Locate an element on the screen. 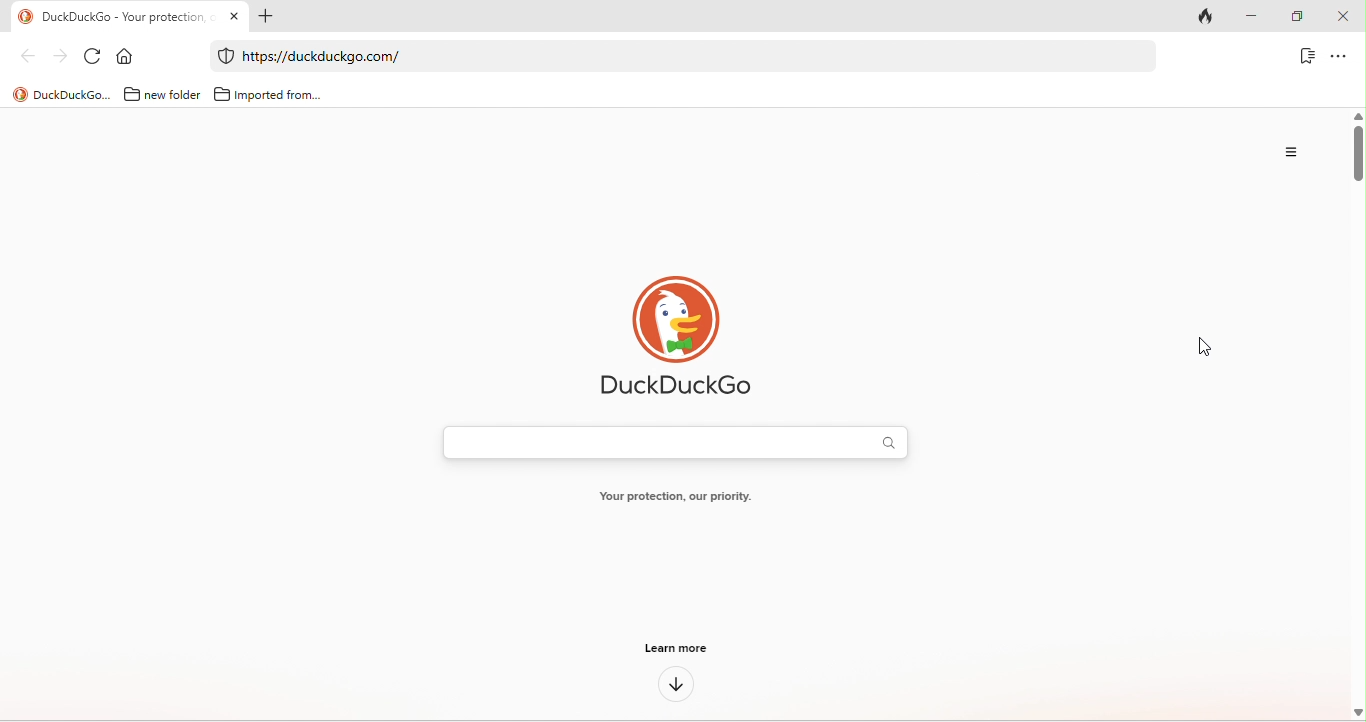 The height and width of the screenshot is (722, 1366). back is located at coordinates (22, 59).